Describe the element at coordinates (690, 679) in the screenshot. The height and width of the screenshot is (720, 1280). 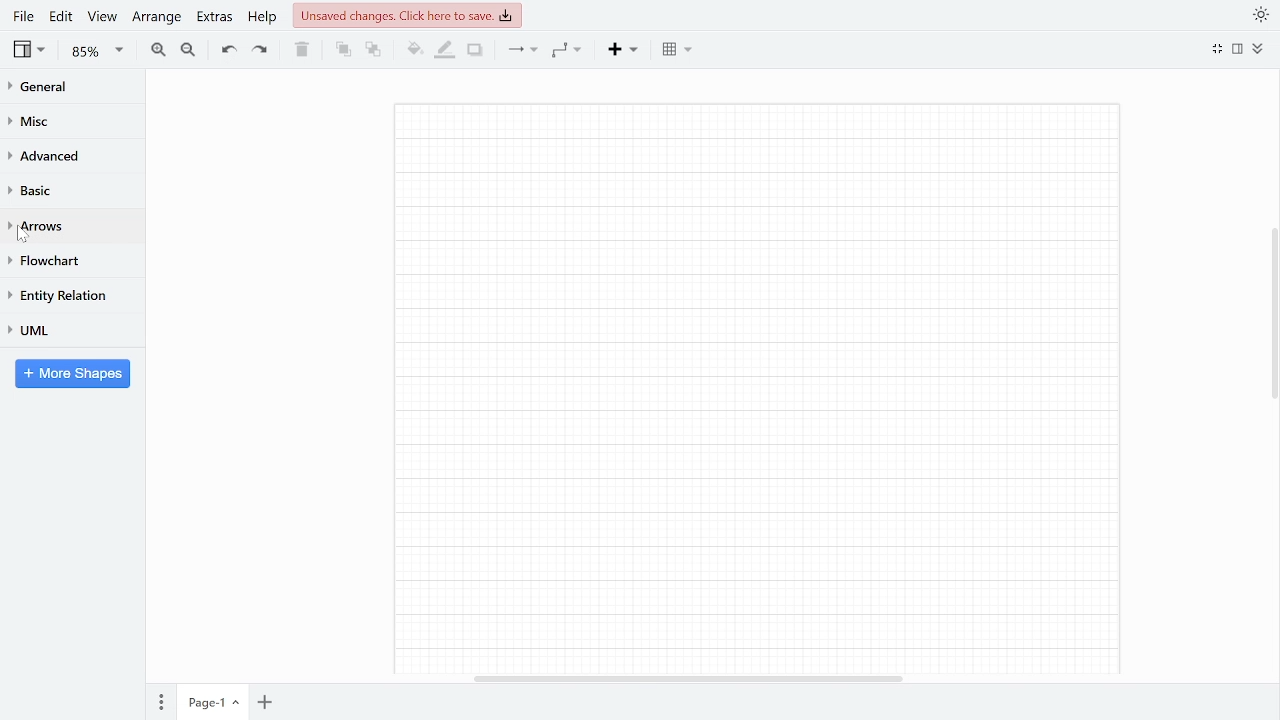
I see `Horizontal scrollbar` at that location.